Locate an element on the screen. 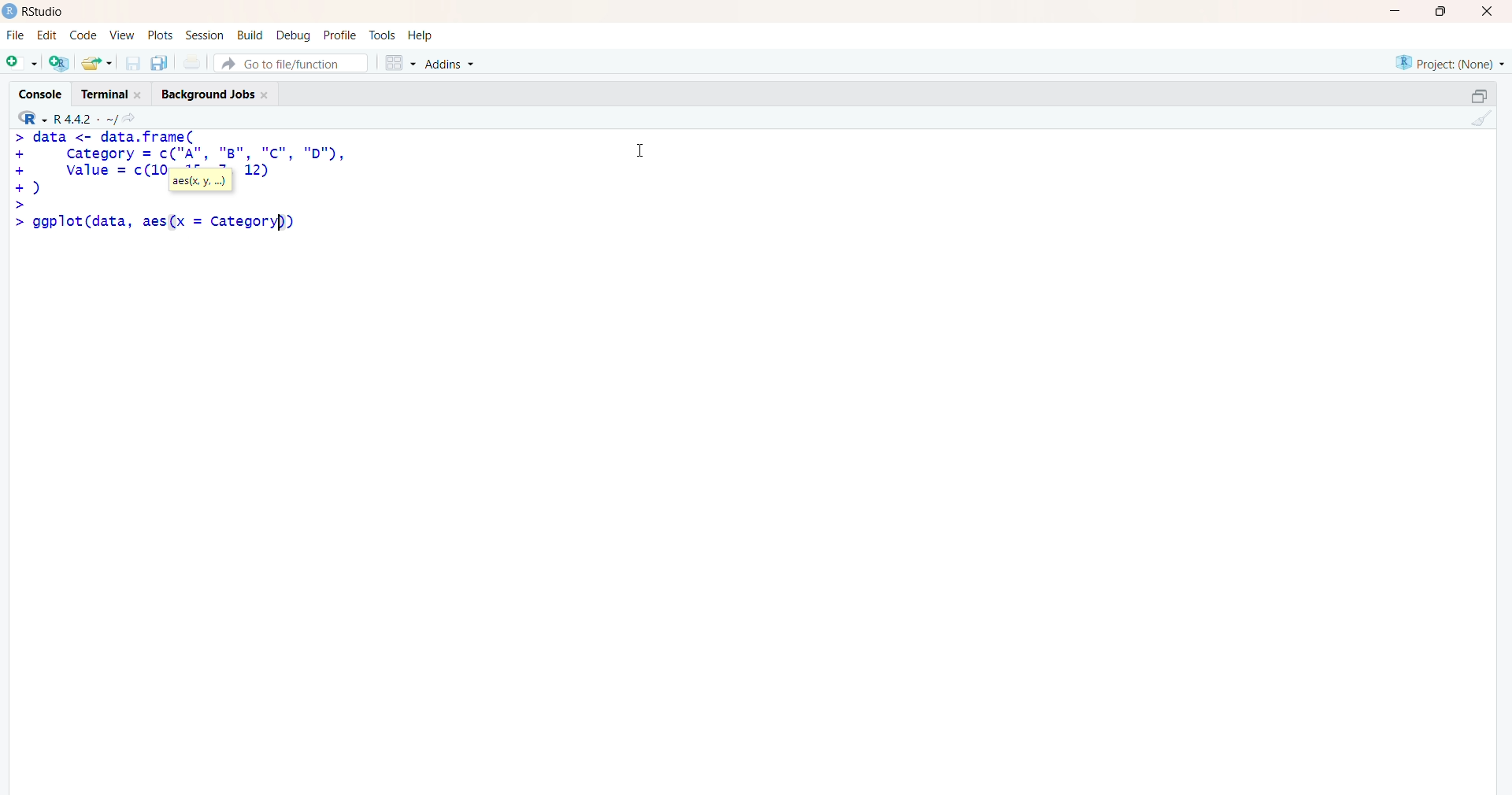  plots is located at coordinates (162, 35).